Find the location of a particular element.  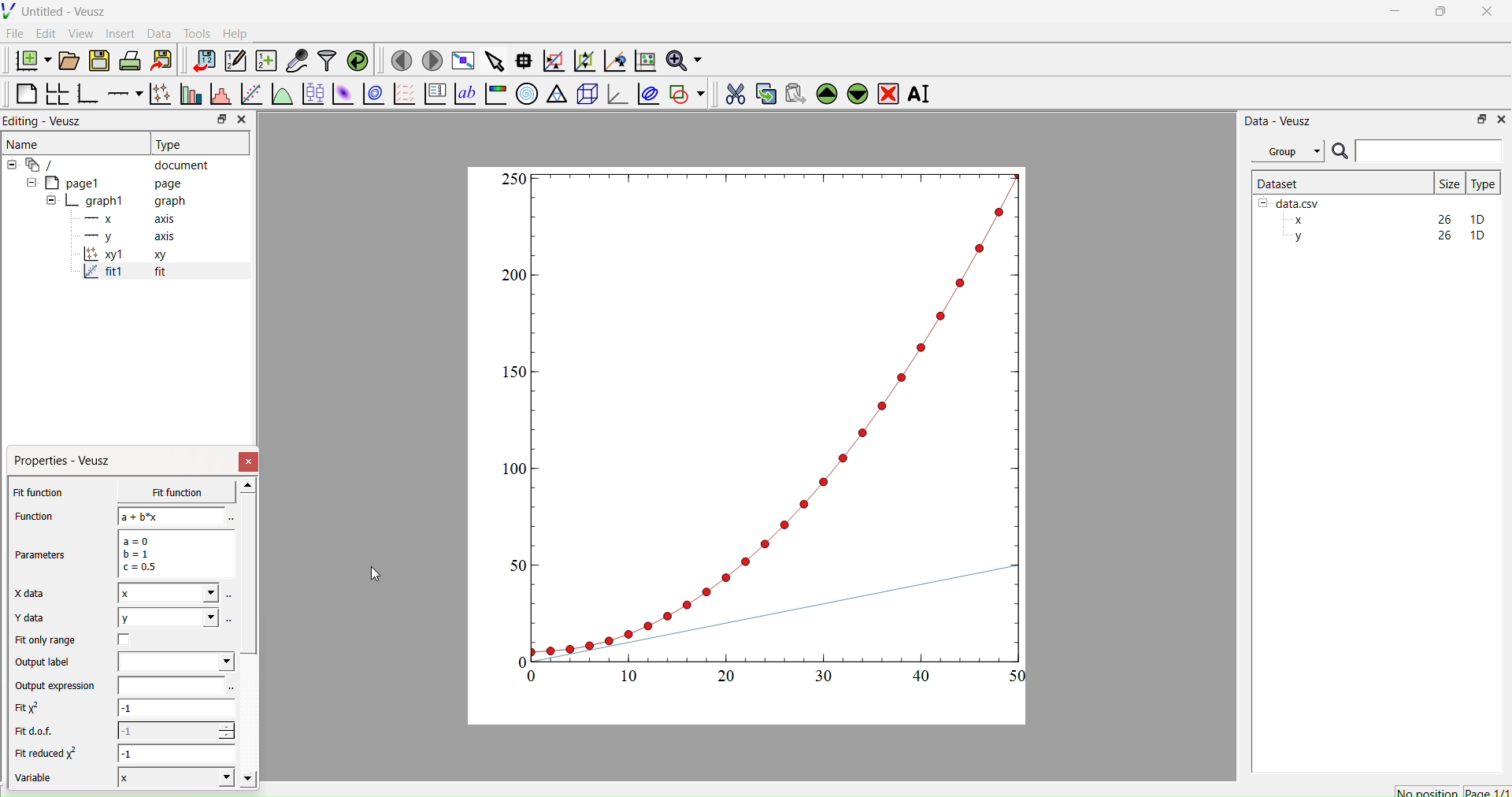

Plot points with lines and errorbars is located at coordinates (158, 94).